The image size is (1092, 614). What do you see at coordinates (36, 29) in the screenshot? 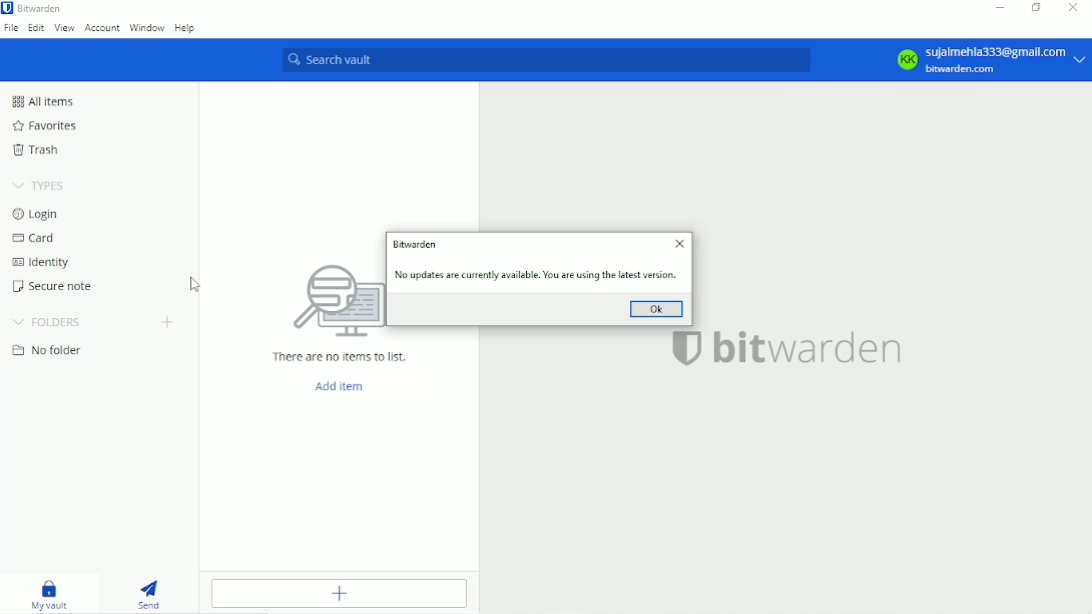
I see `Edit` at bounding box center [36, 29].